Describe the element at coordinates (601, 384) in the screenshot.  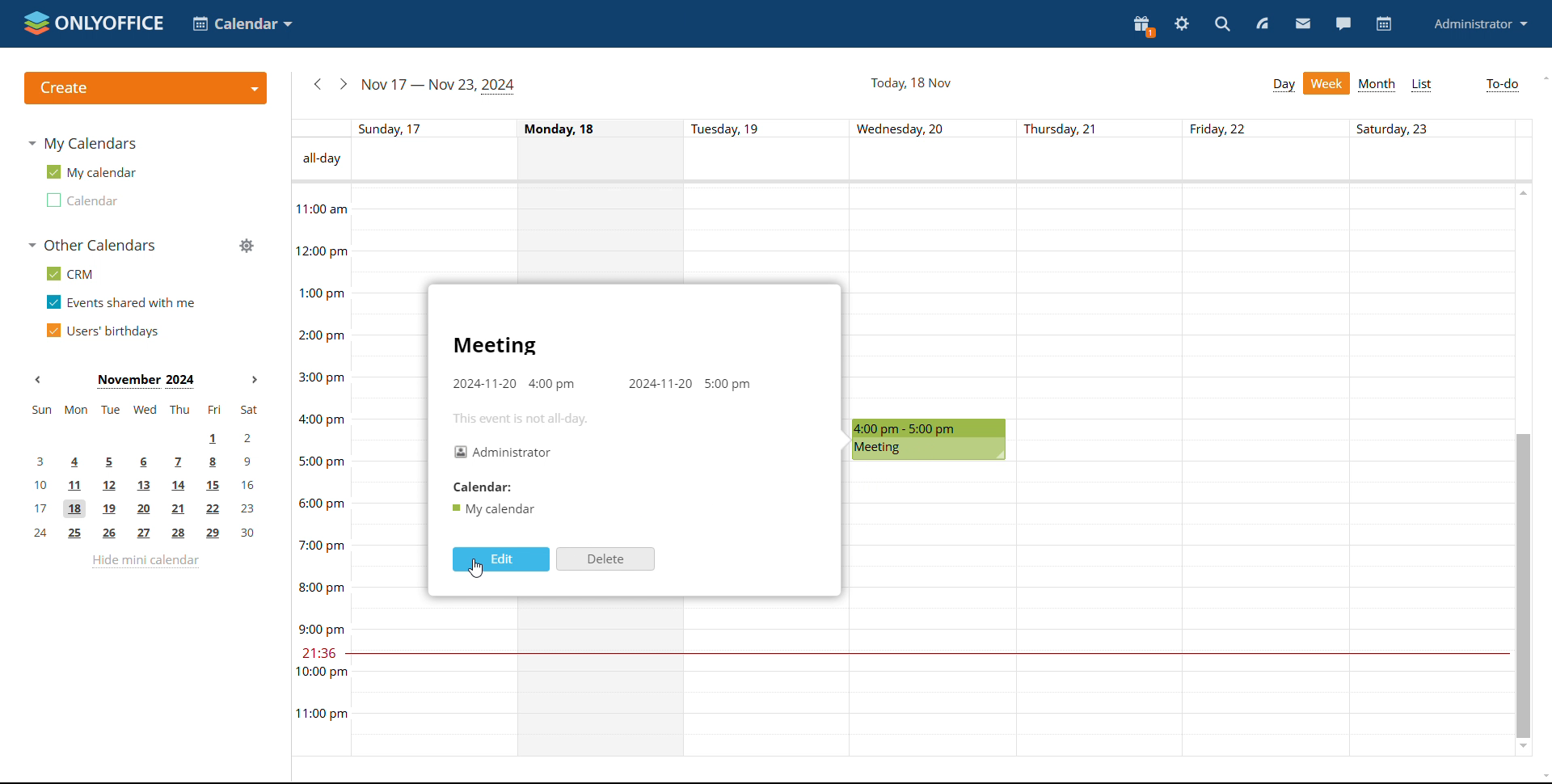
I see `meeting timings` at that location.